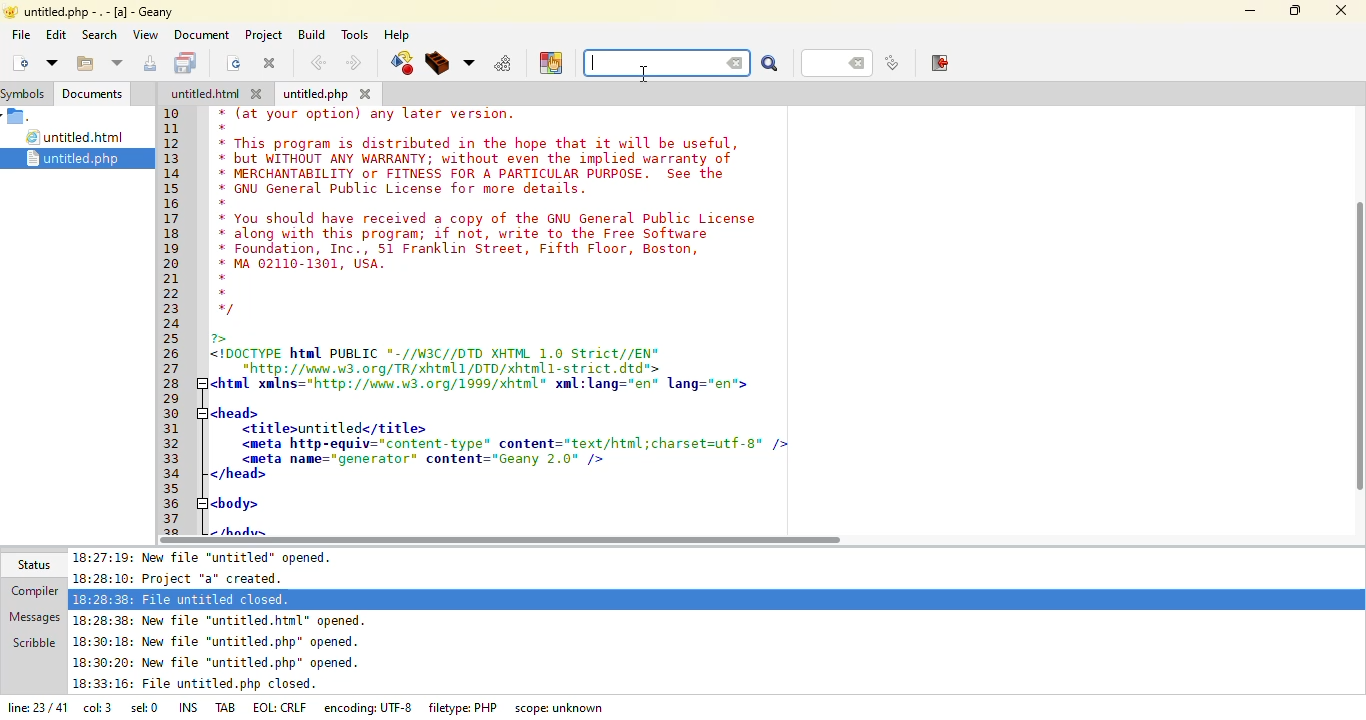 The height and width of the screenshot is (720, 1366). What do you see at coordinates (172, 113) in the screenshot?
I see `10` at bounding box center [172, 113].